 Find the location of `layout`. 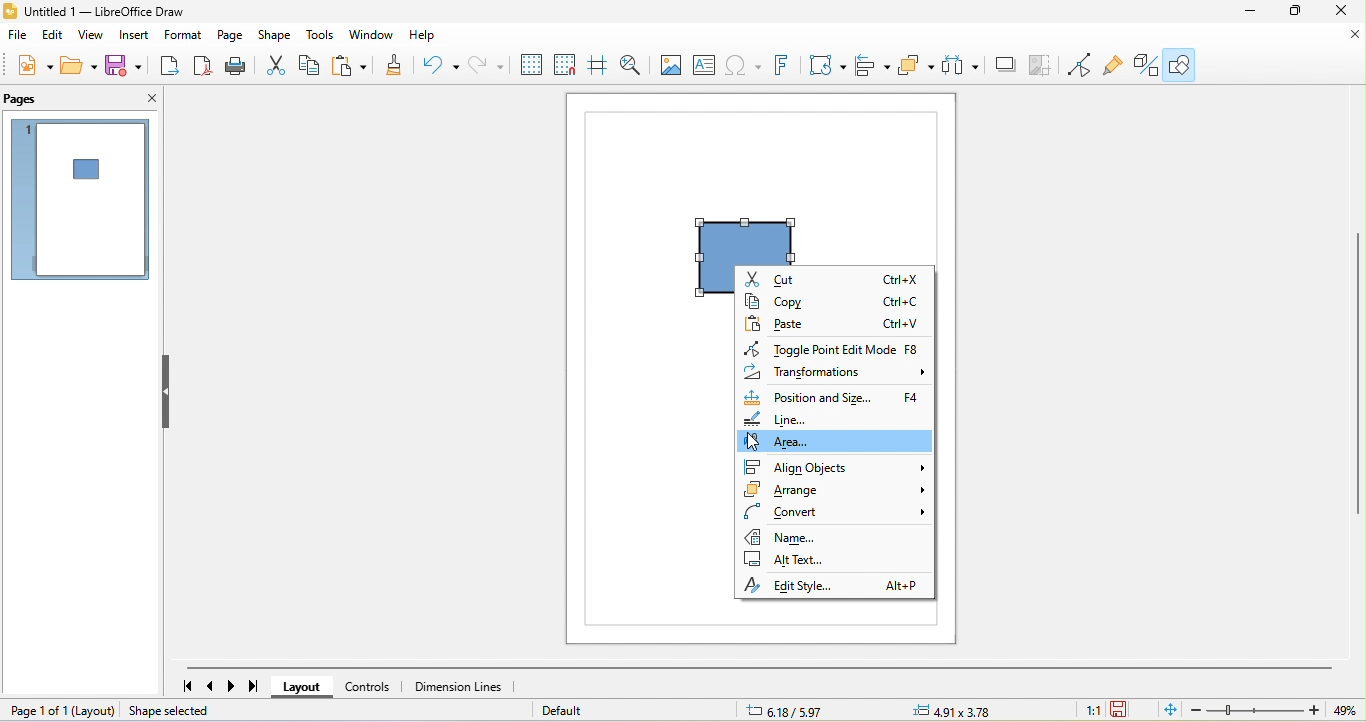

layout is located at coordinates (307, 686).